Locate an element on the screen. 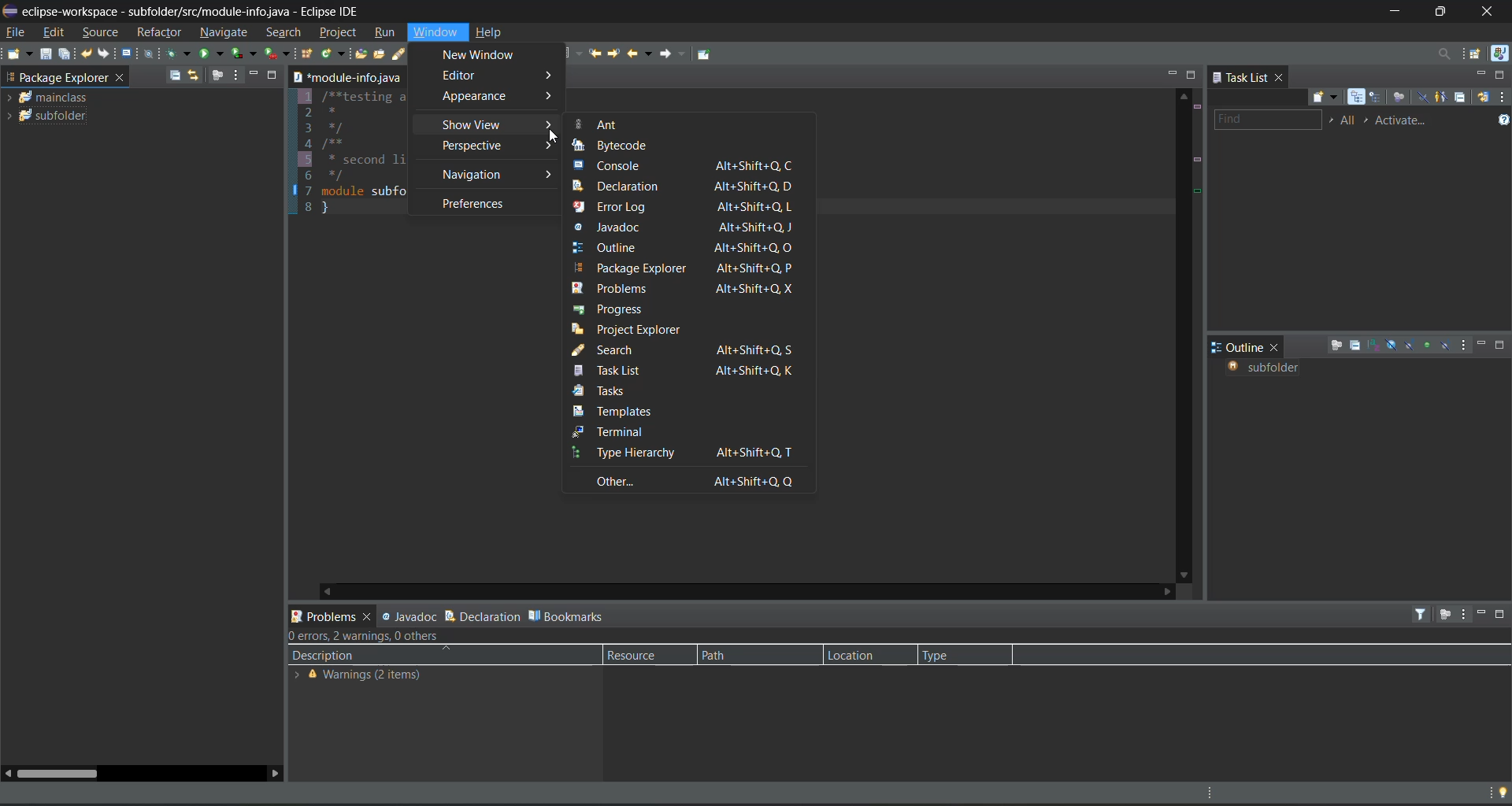 Image resolution: width=1512 pixels, height=806 pixels. open task is located at coordinates (383, 54).